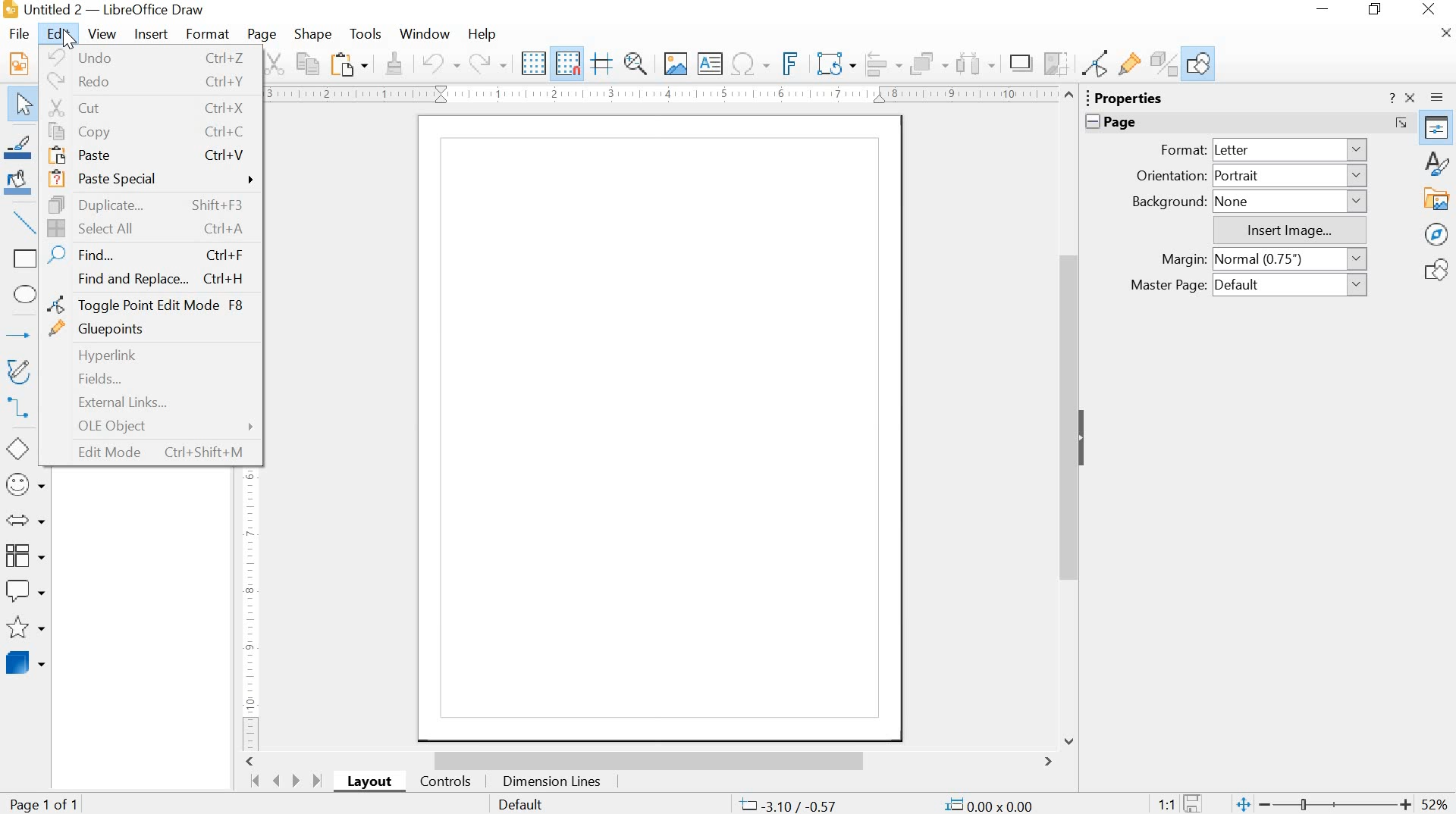  Describe the element at coordinates (151, 452) in the screenshot. I see `edit mode` at that location.